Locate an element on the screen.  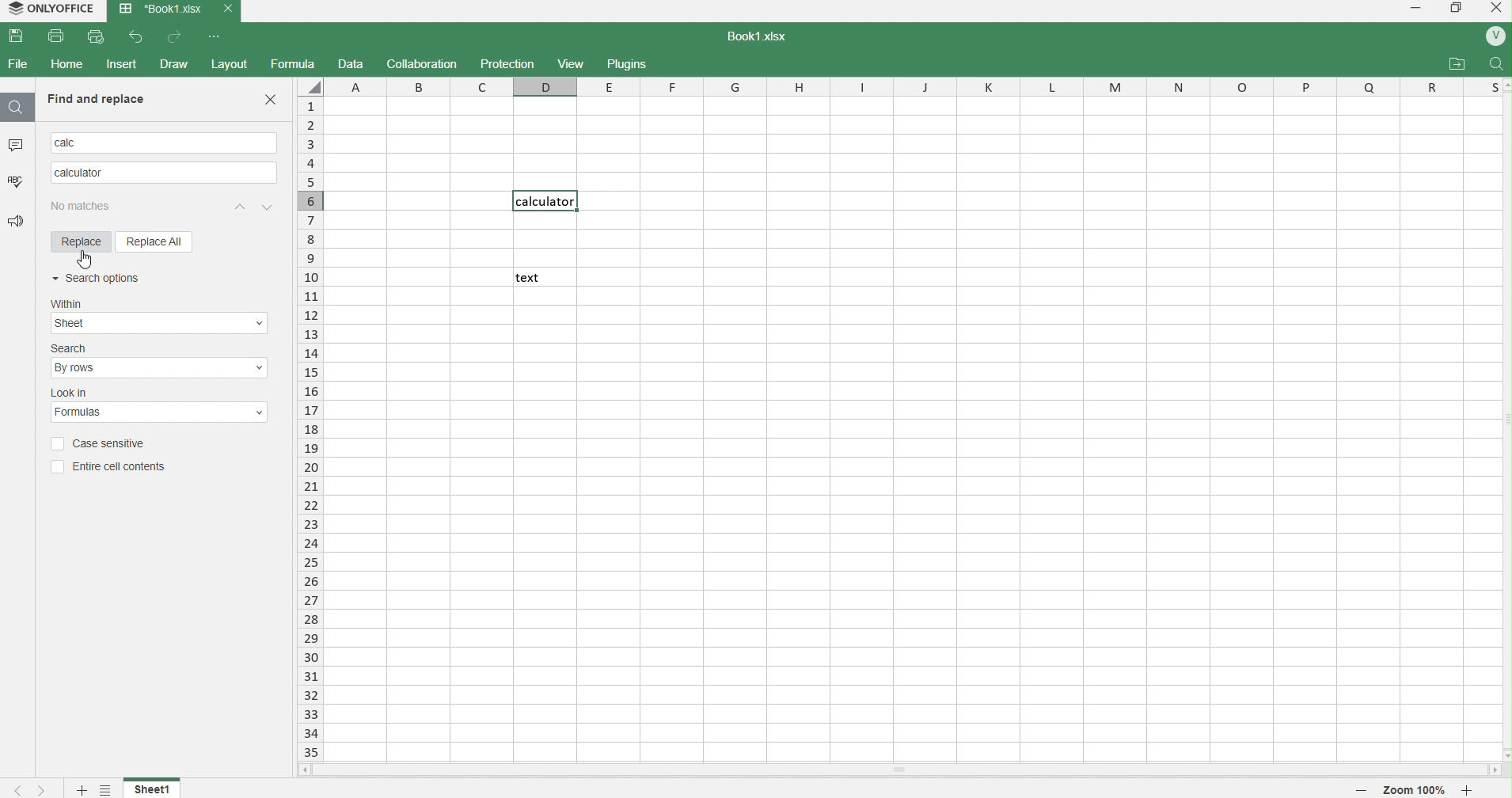
view is located at coordinates (574, 63).